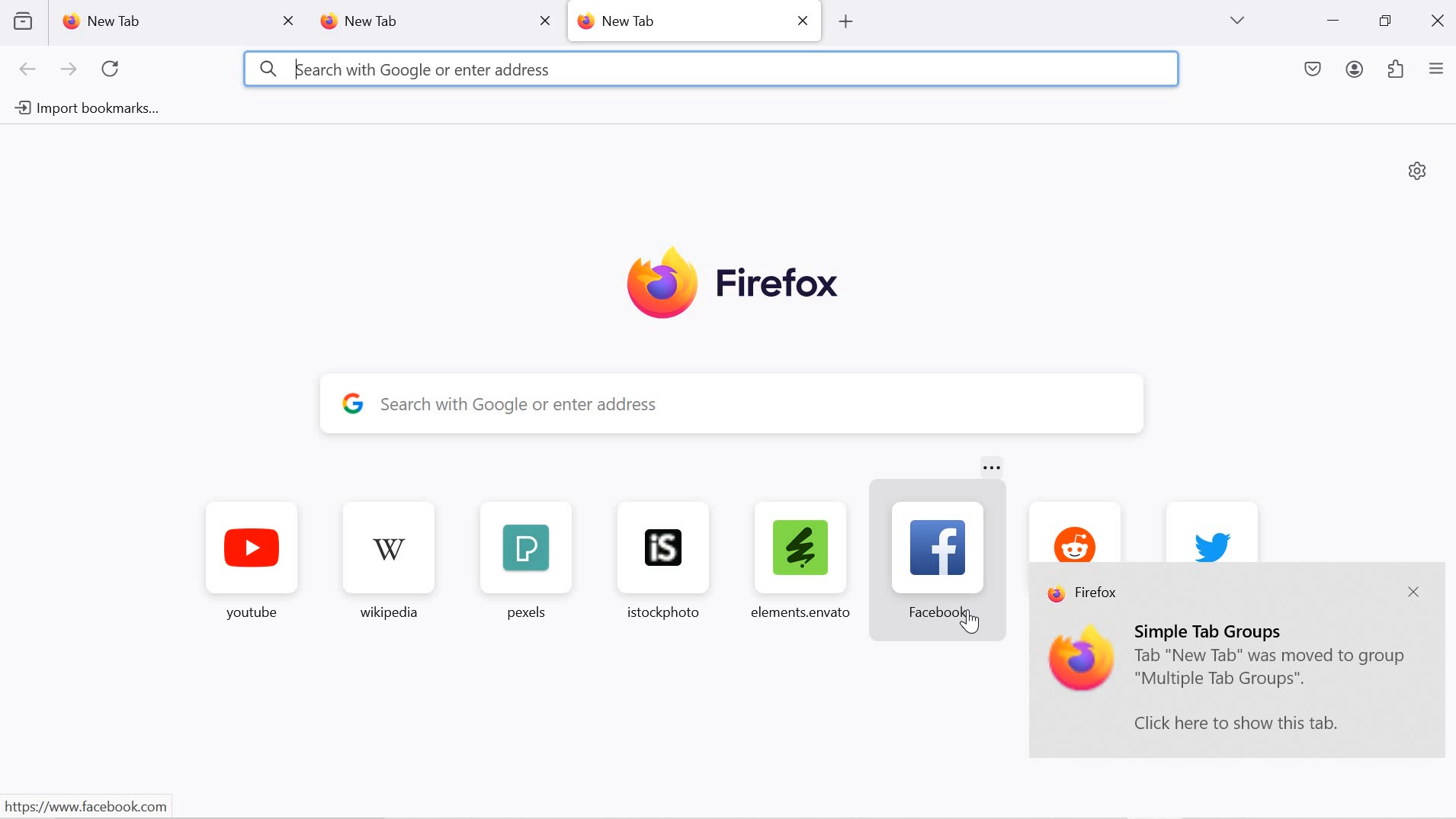 This screenshot has width=1456, height=819. I want to click on reddit favorite, so click(1071, 530).